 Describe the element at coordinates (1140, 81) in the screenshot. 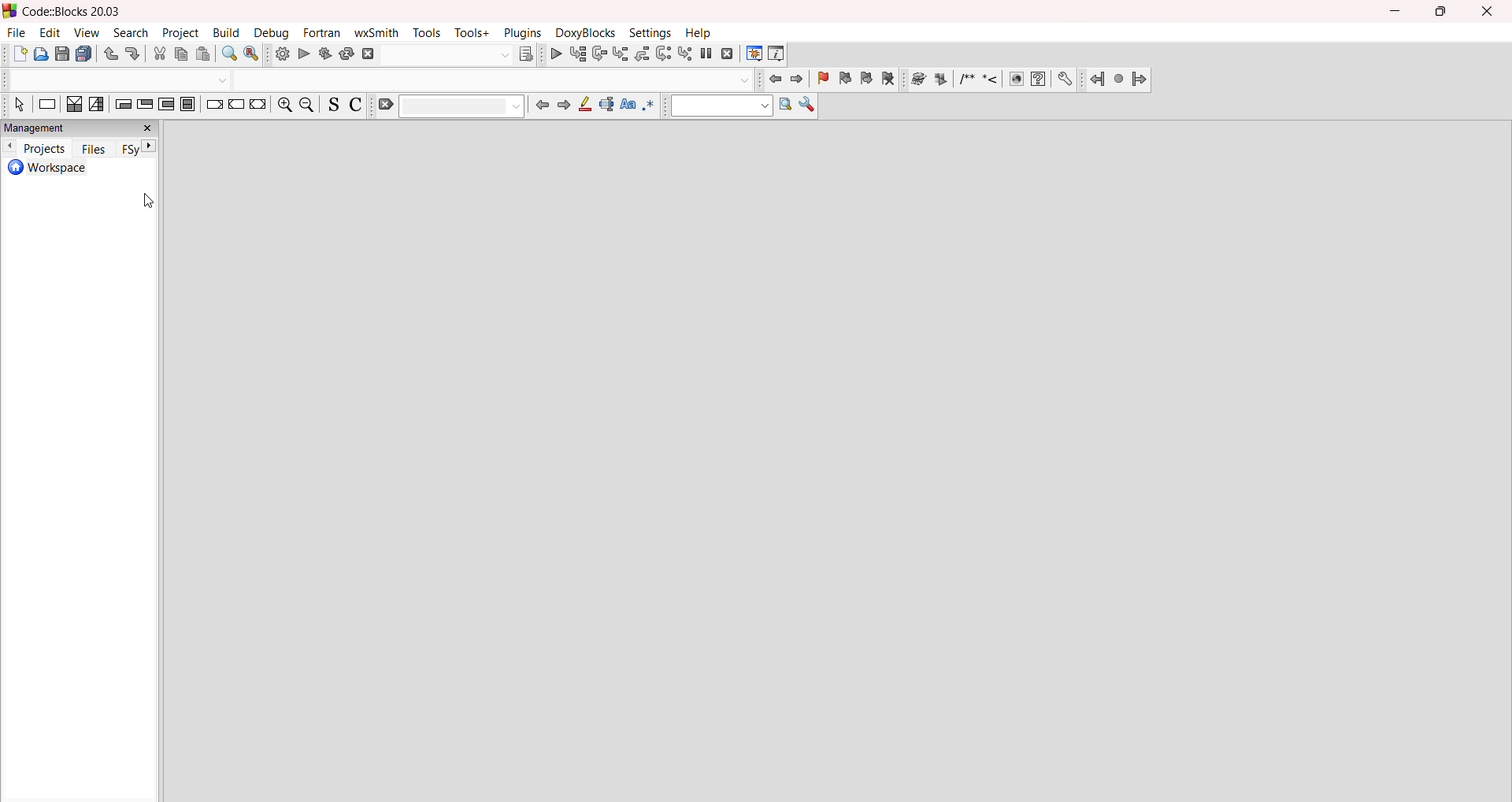

I see `Forward jump` at that location.